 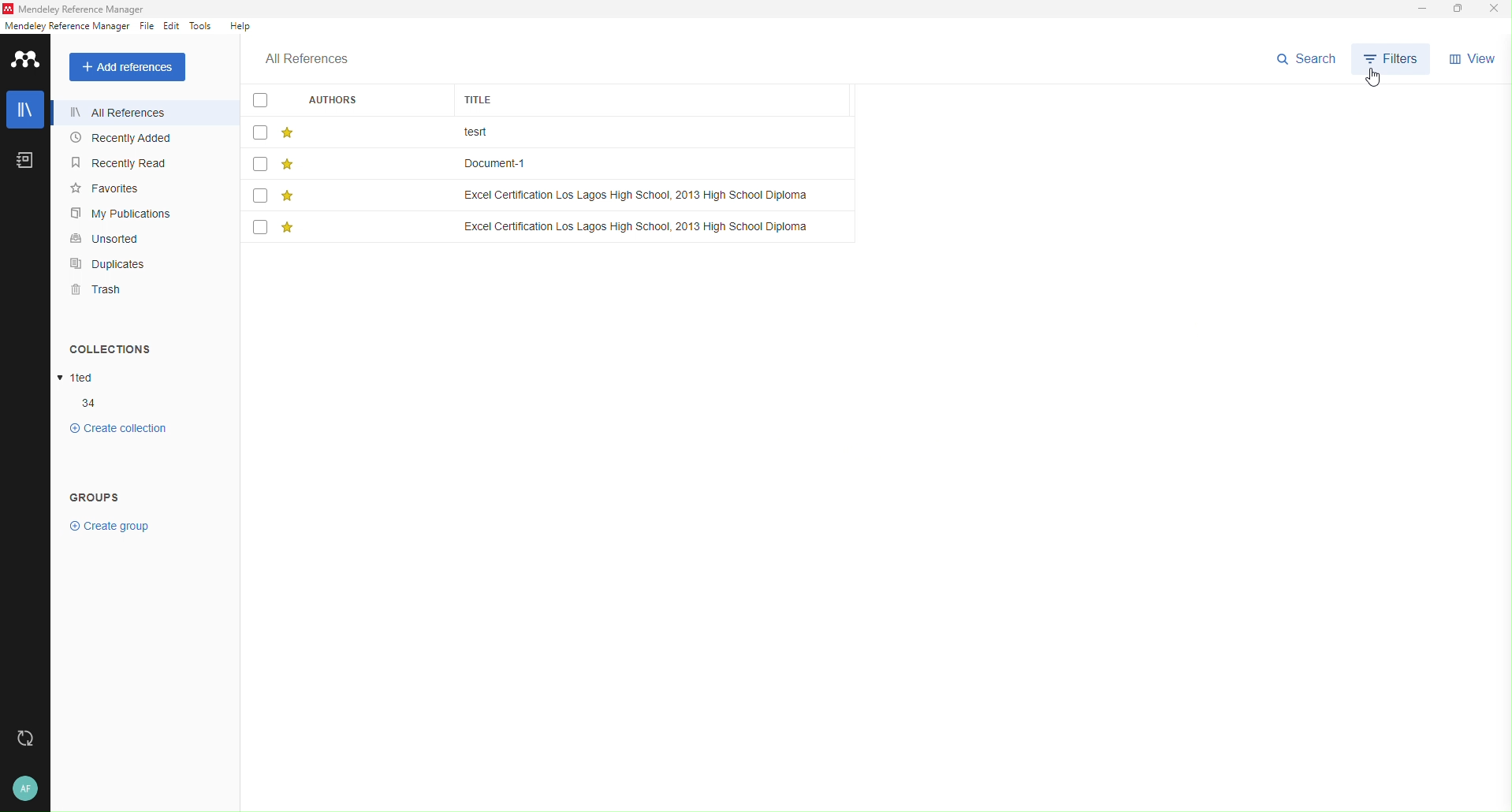 I want to click on Unsorted, so click(x=119, y=237).